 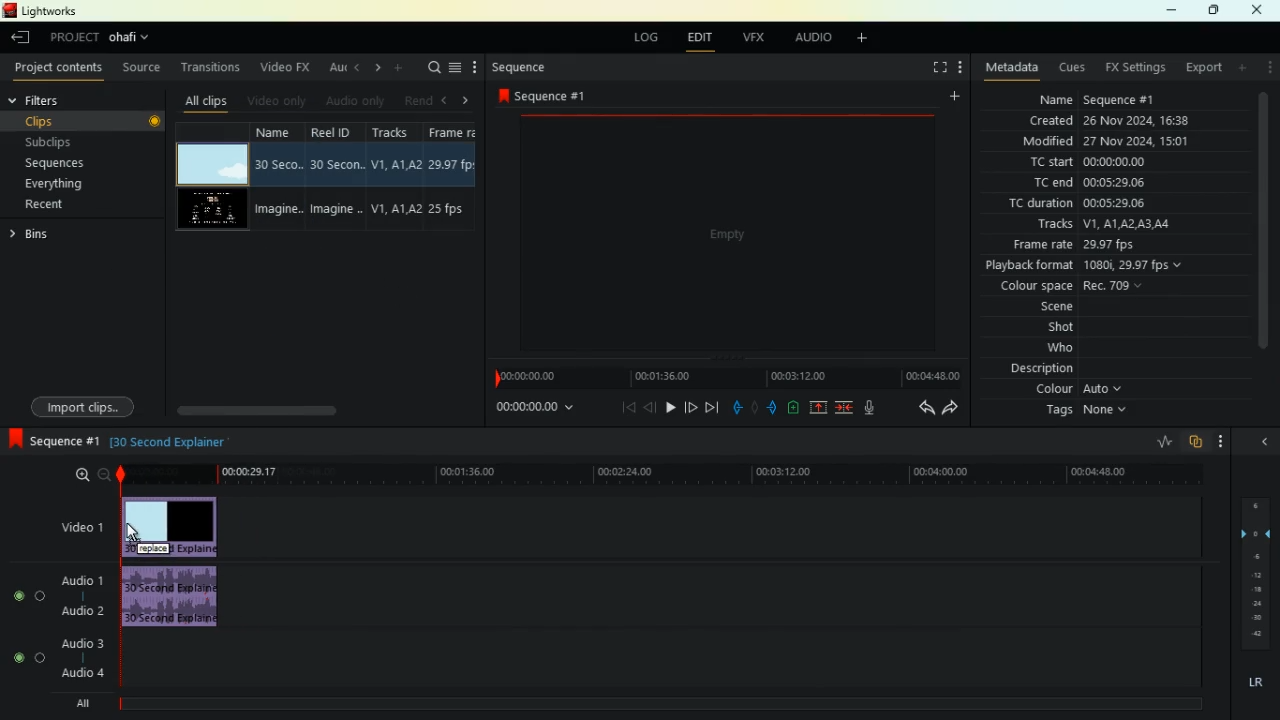 What do you see at coordinates (670, 407) in the screenshot?
I see `play` at bounding box center [670, 407].